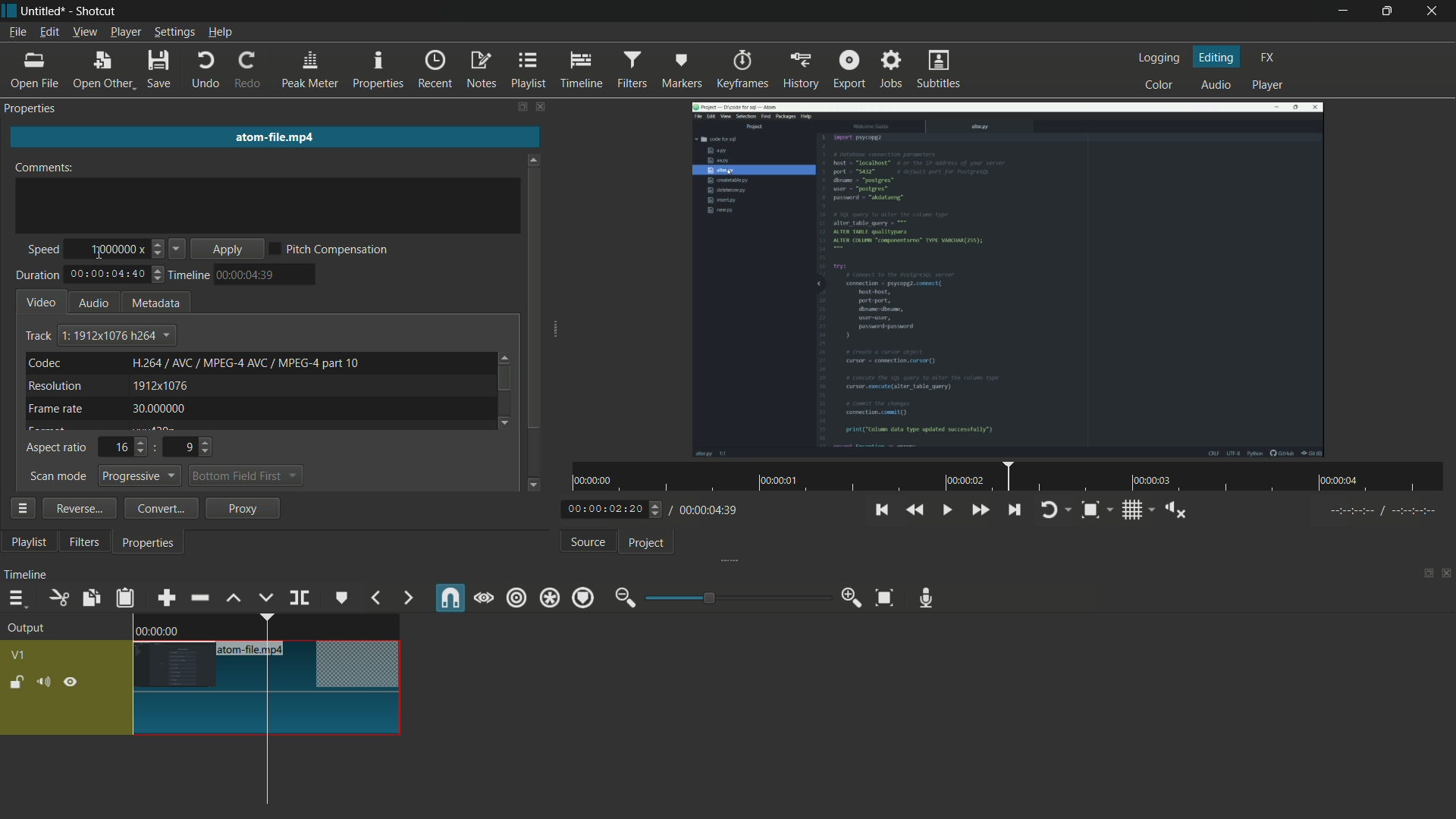 This screenshot has height=819, width=1456. Describe the element at coordinates (58, 477) in the screenshot. I see `scan mode` at that location.